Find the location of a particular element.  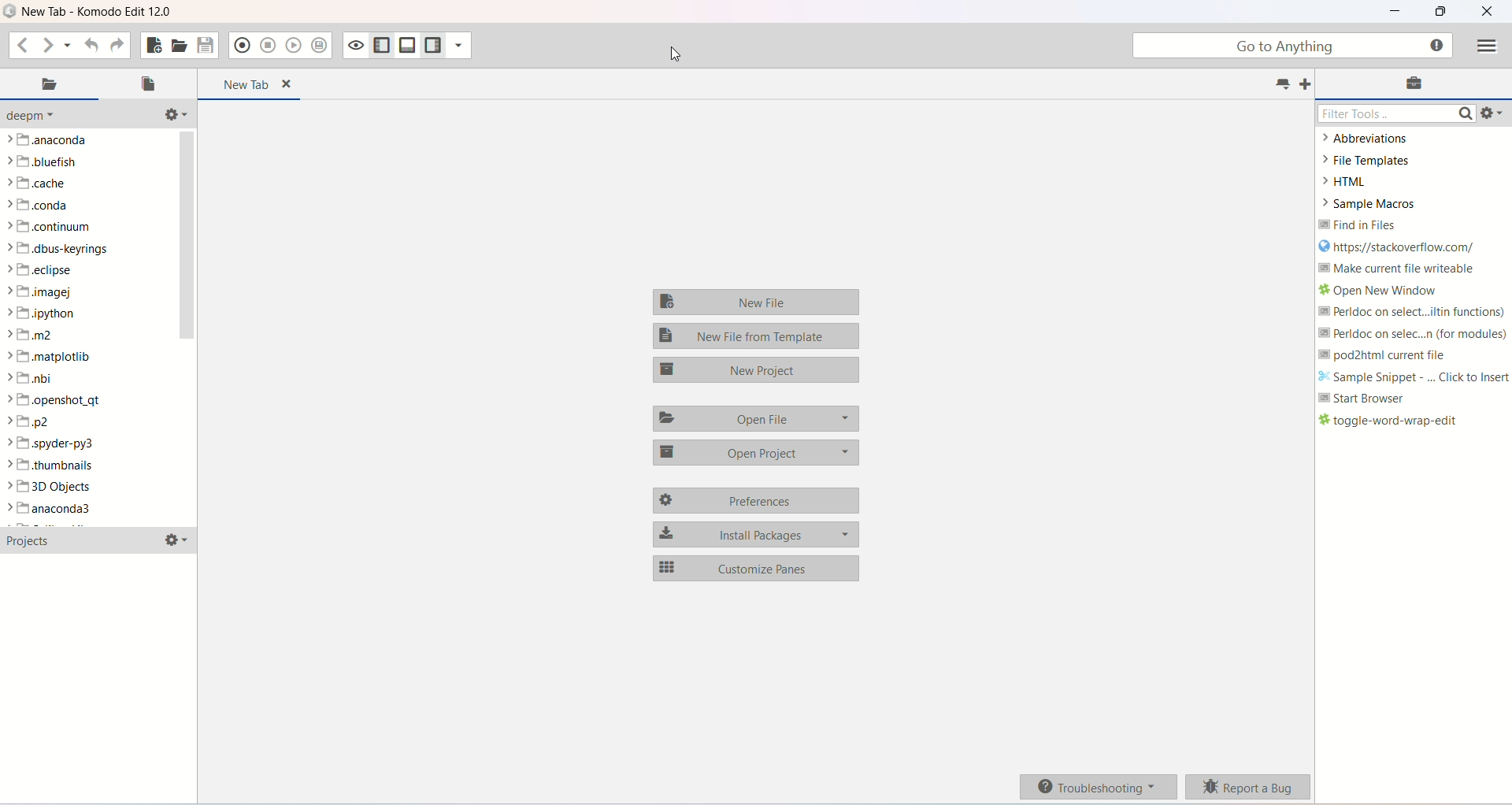

stackoverflow link is located at coordinates (1401, 247).